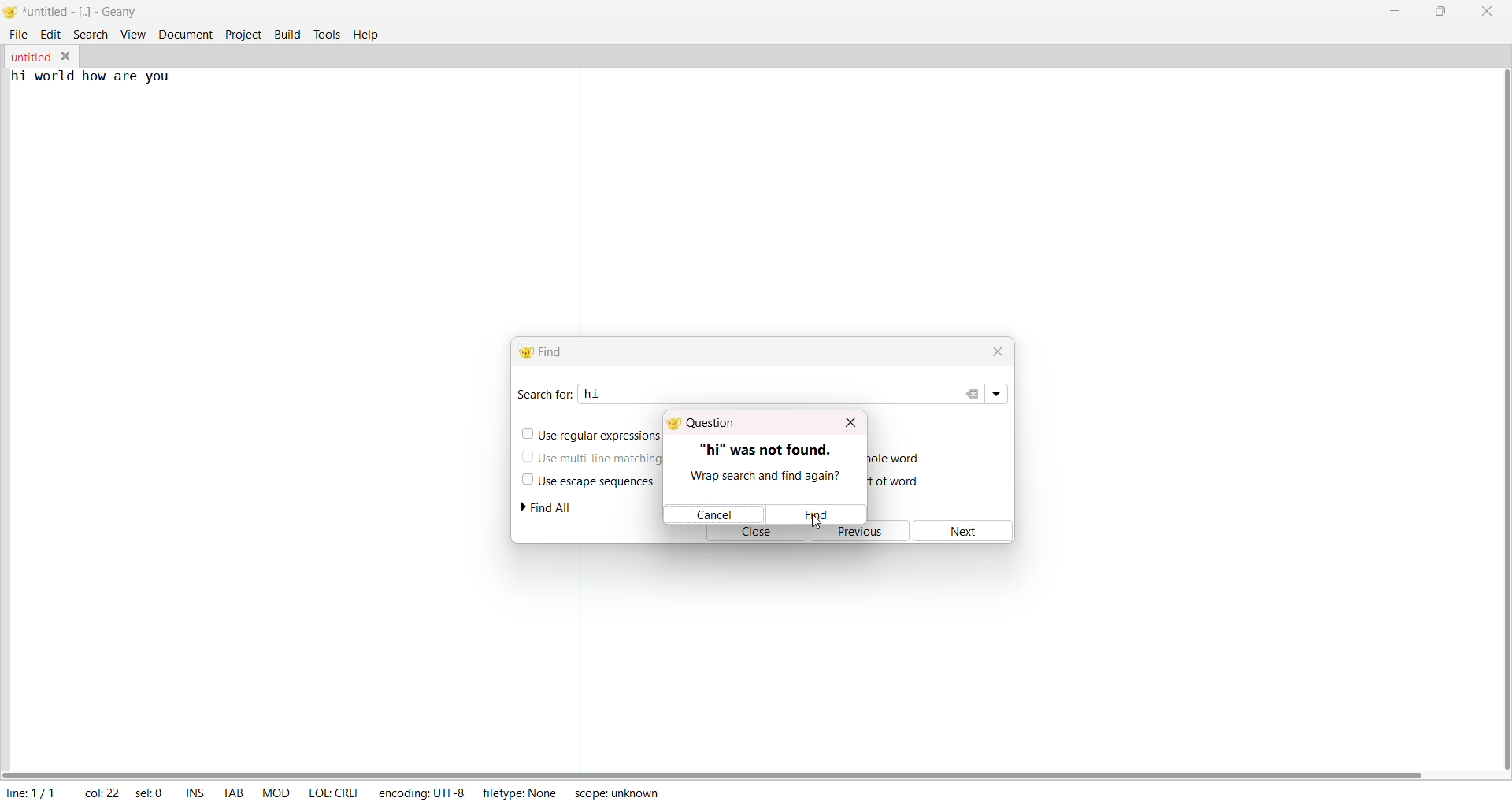 The image size is (1512, 802). What do you see at coordinates (243, 34) in the screenshot?
I see `project` at bounding box center [243, 34].